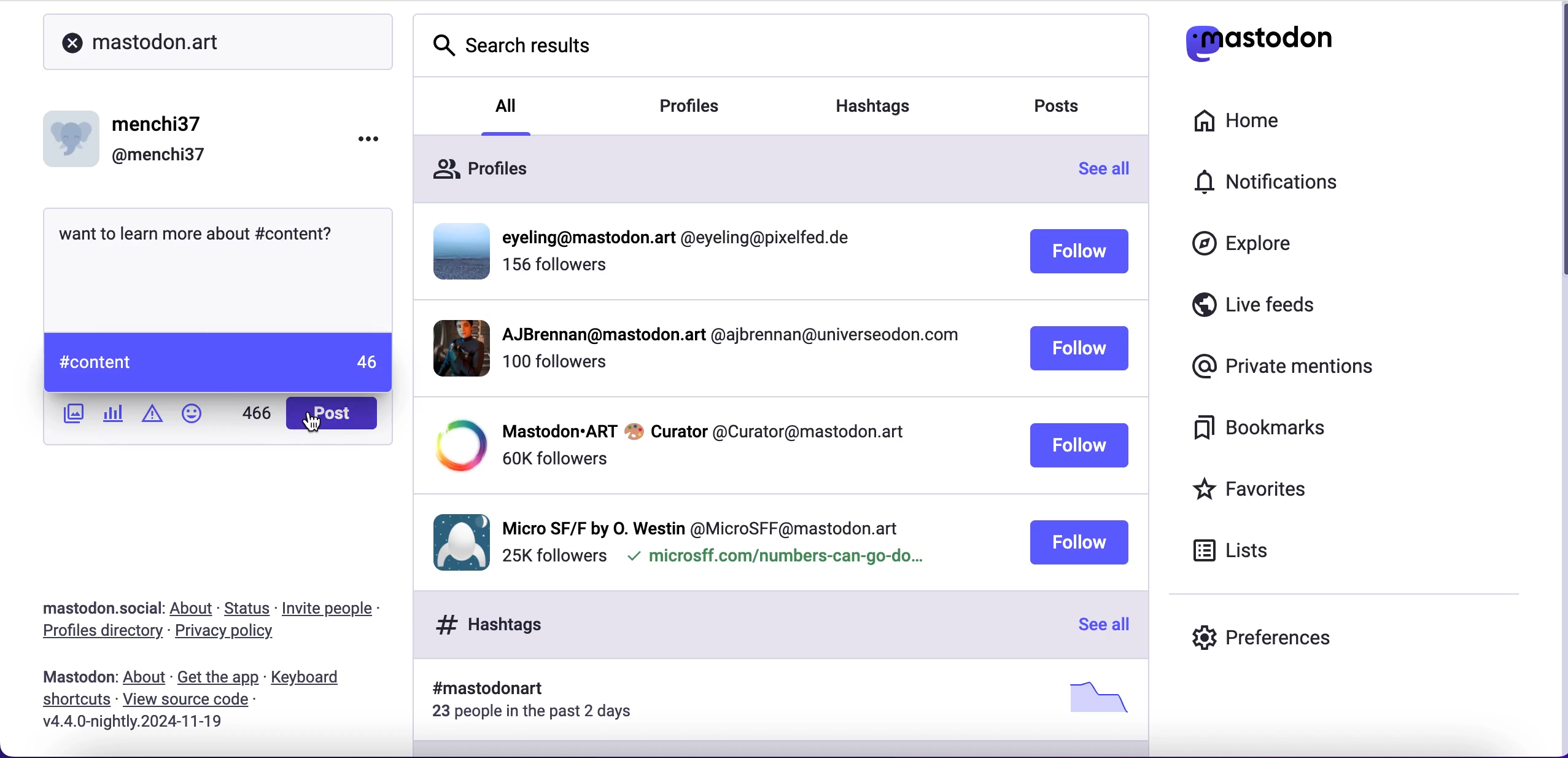 This screenshot has height=758, width=1568. I want to click on follow, so click(1080, 350).